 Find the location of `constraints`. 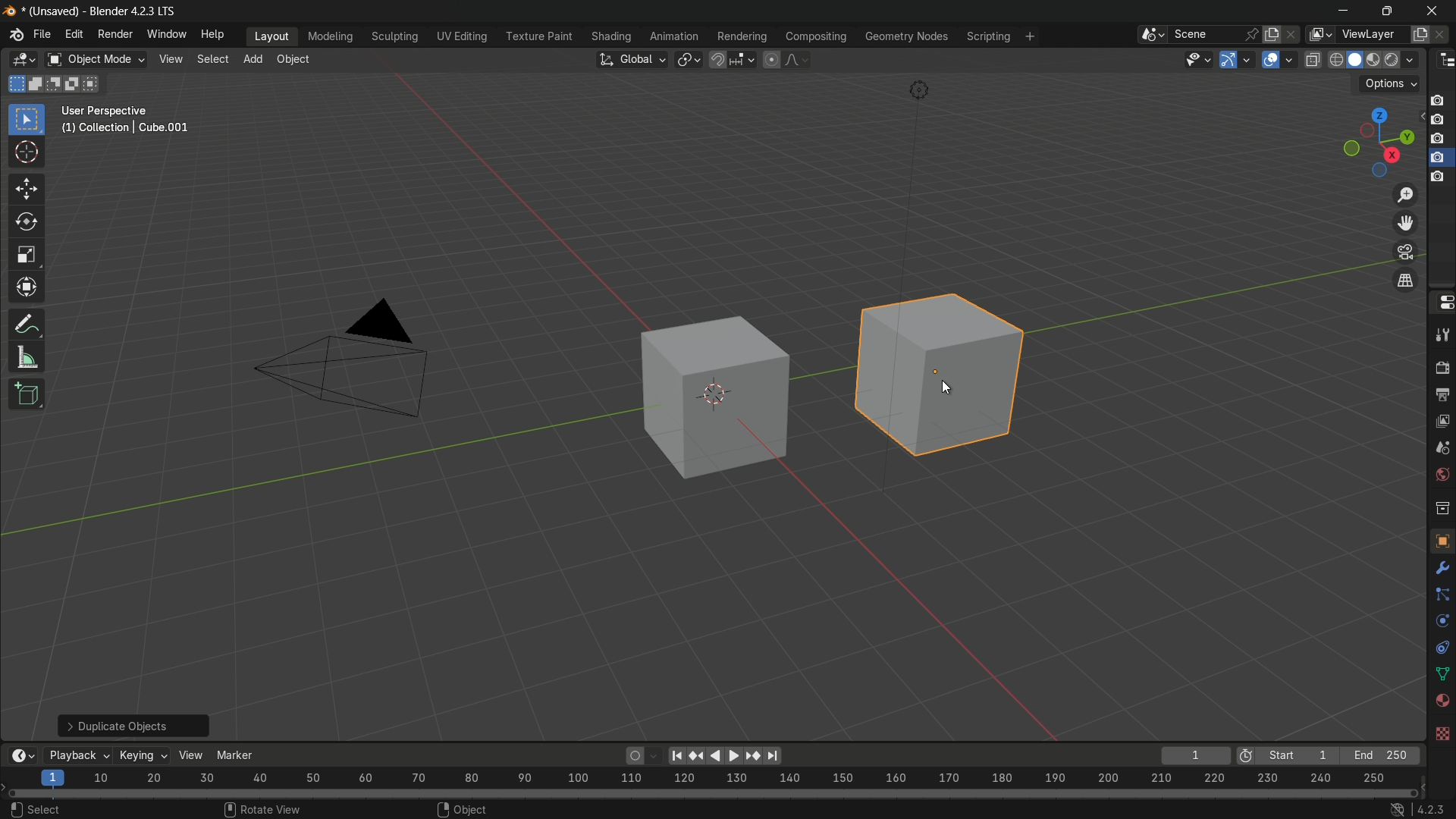

constraints is located at coordinates (1442, 648).